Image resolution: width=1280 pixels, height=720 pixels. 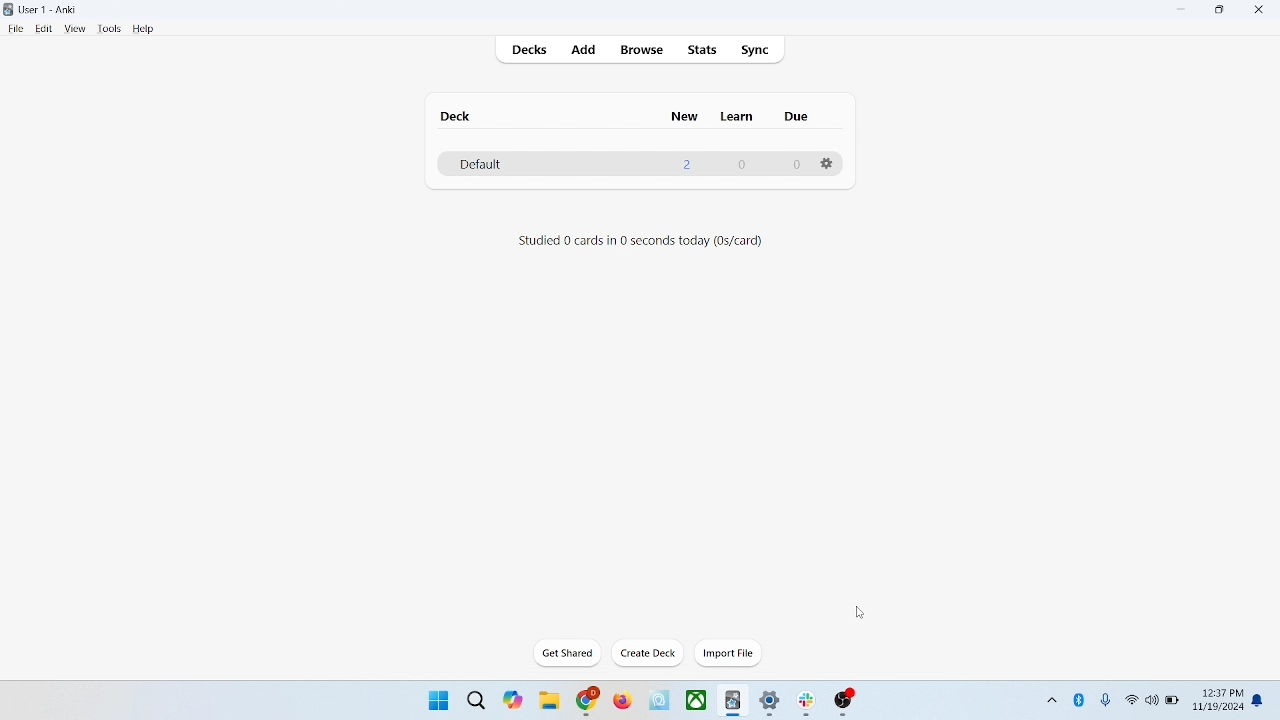 What do you see at coordinates (569, 654) in the screenshot?
I see `get shared` at bounding box center [569, 654].